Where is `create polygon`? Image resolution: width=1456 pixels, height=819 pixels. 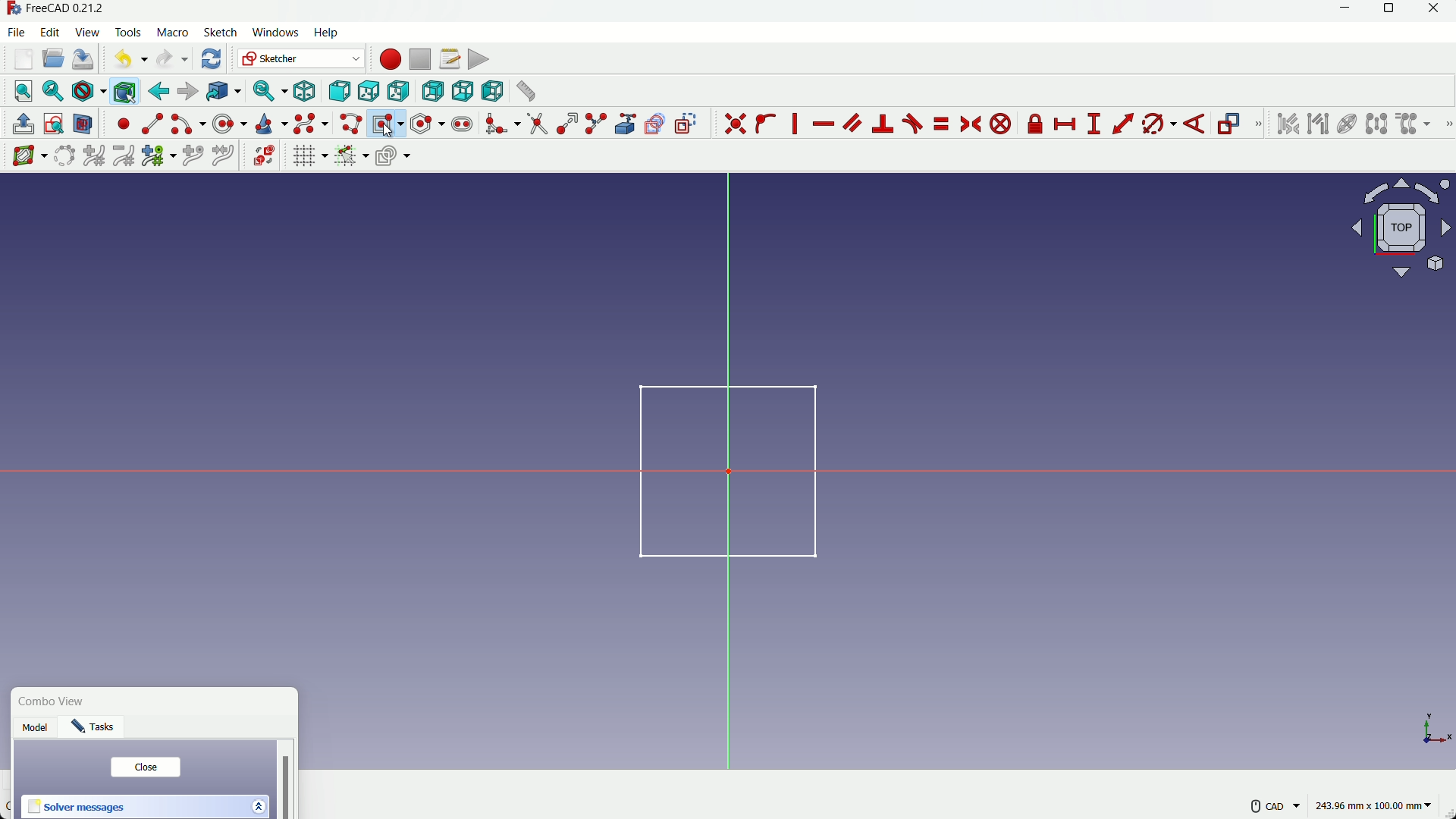 create polygon is located at coordinates (428, 123).